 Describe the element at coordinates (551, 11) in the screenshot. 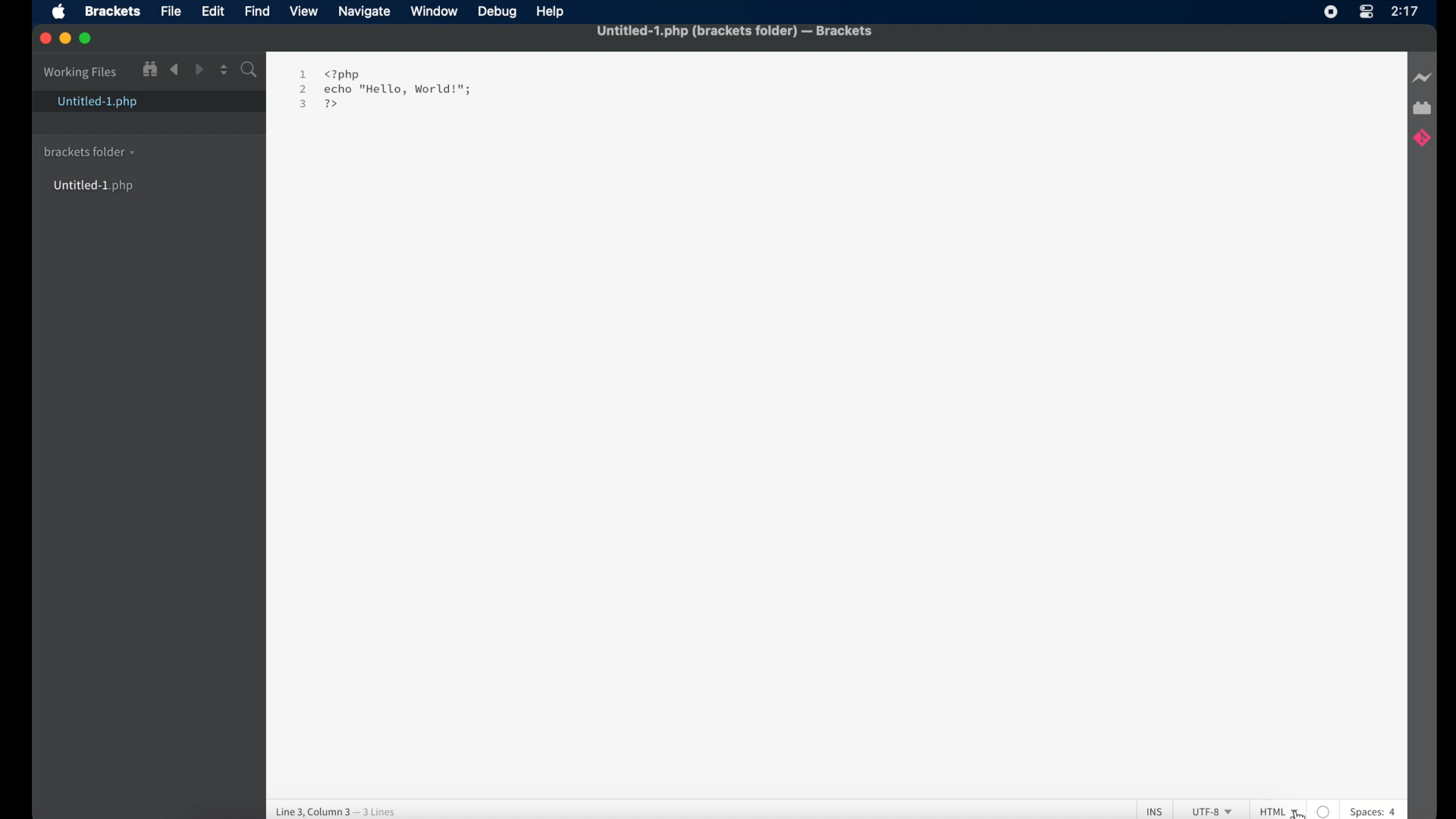

I see `help` at that location.